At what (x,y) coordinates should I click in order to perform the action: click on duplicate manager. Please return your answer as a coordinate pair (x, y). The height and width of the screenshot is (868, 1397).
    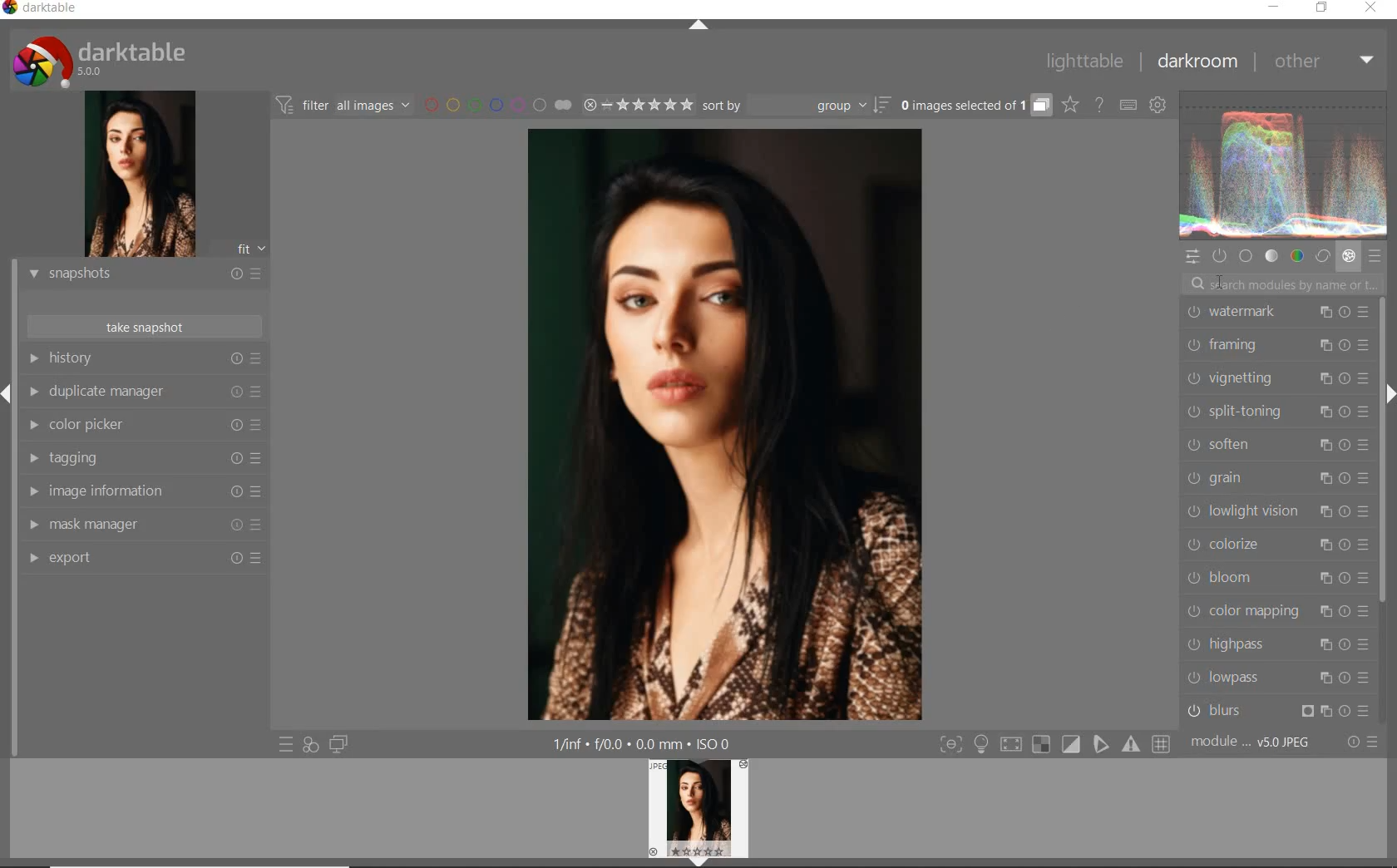
    Looking at the image, I should click on (144, 390).